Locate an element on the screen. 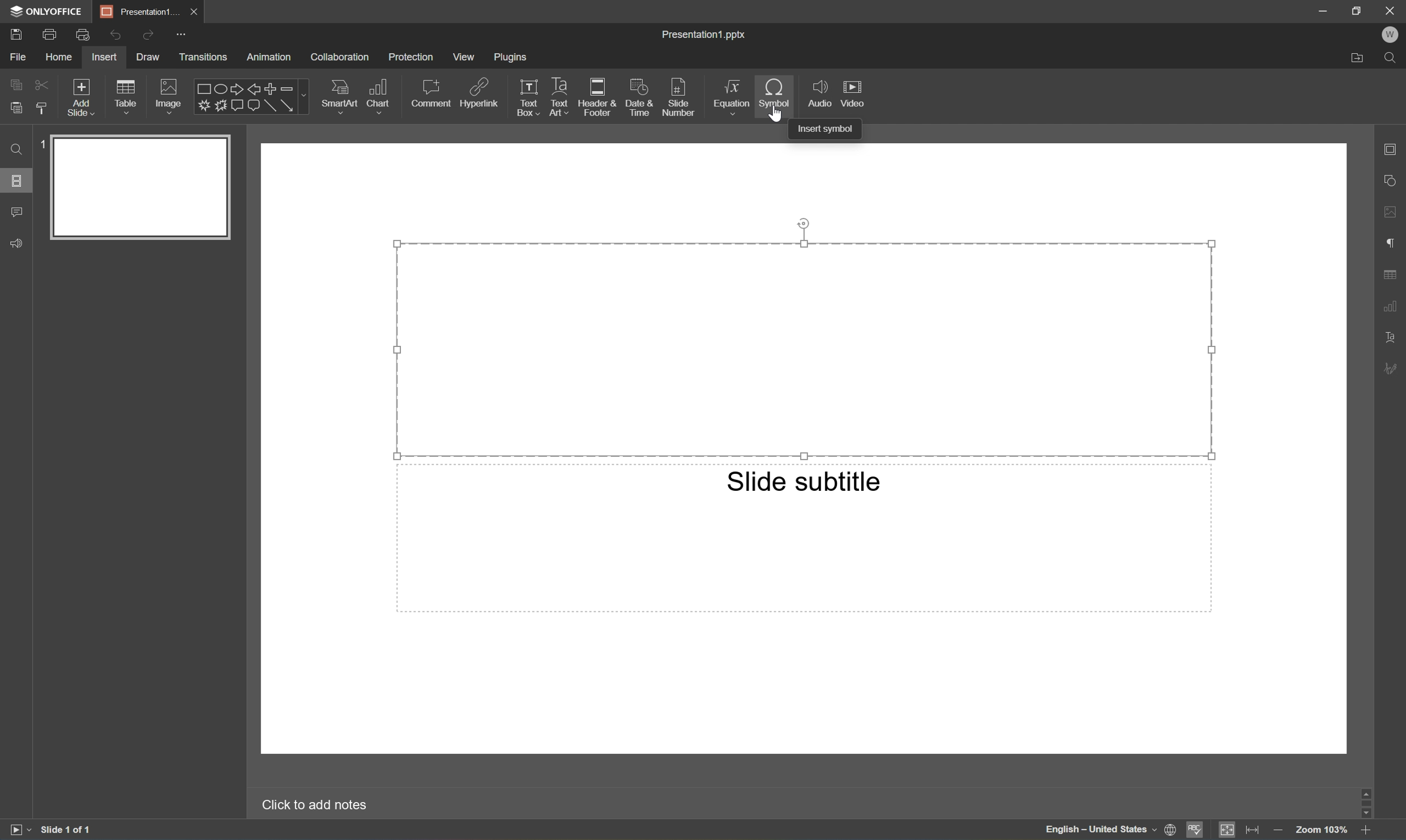 The height and width of the screenshot is (840, 1406). Image settings is located at coordinates (1395, 213).